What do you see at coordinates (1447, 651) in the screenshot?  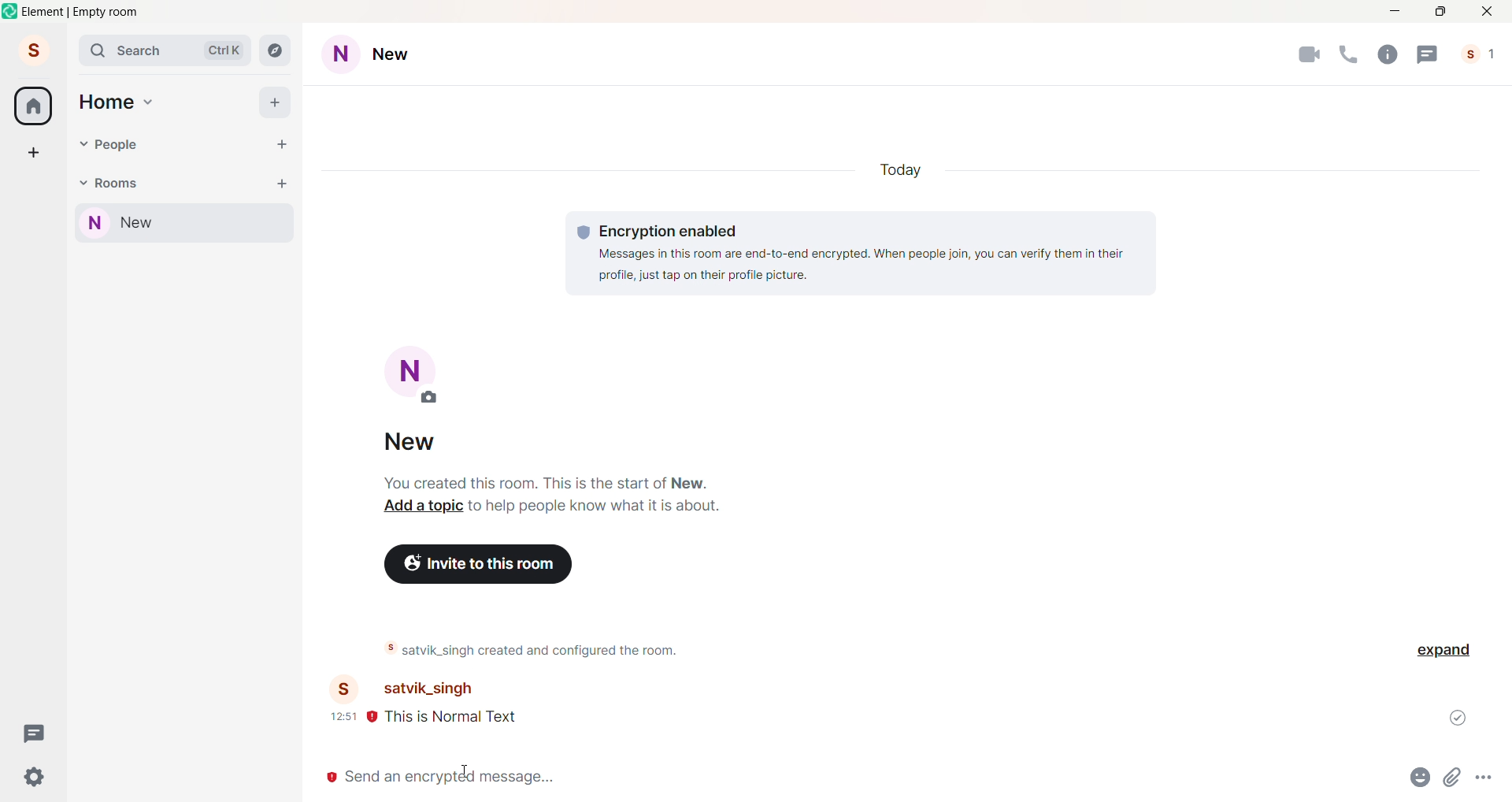 I see `Expand` at bounding box center [1447, 651].